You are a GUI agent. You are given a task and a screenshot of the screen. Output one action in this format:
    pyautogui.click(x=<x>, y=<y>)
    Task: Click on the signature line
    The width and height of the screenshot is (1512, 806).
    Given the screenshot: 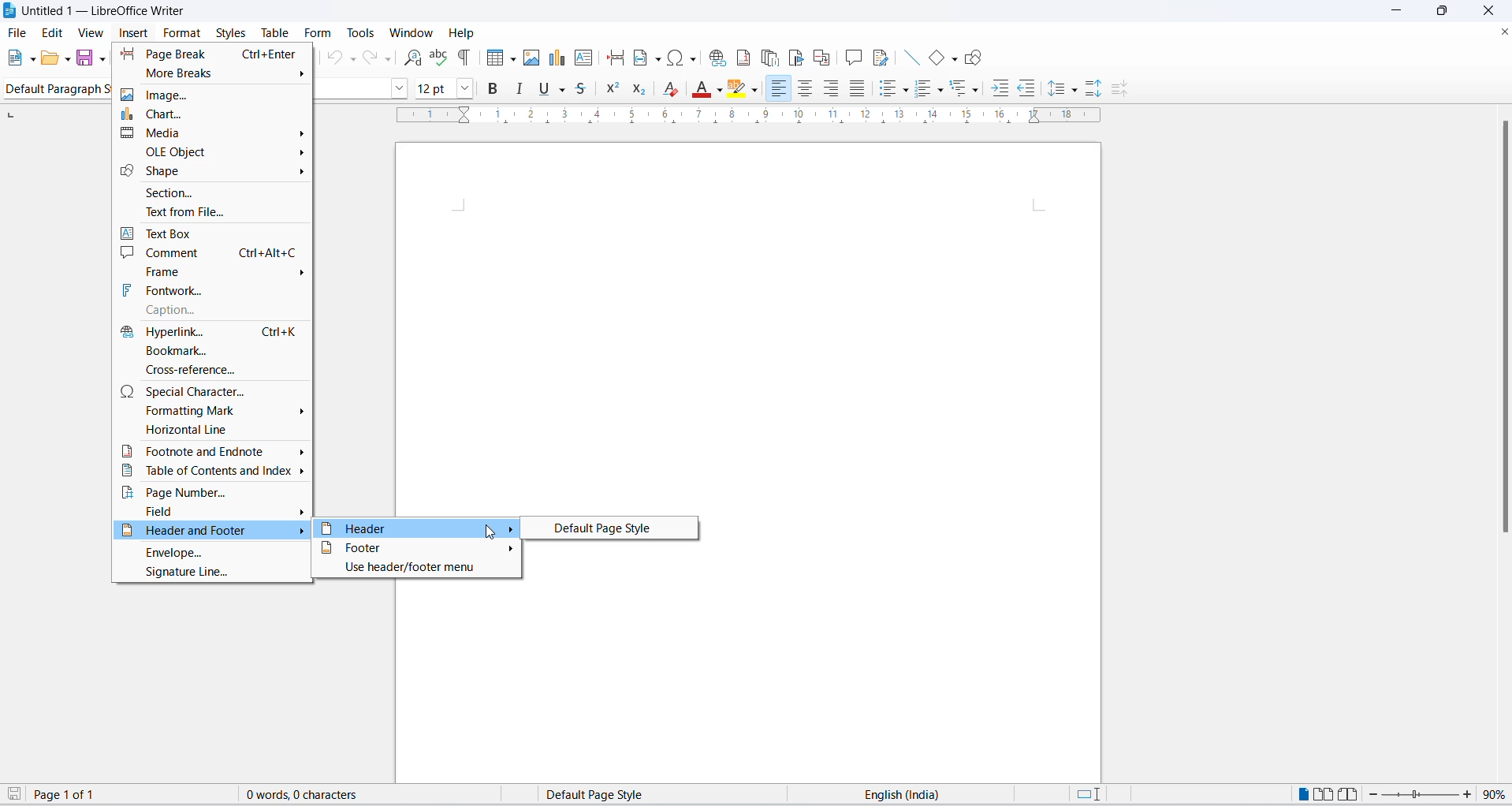 What is the action you would take?
    pyautogui.click(x=210, y=577)
    